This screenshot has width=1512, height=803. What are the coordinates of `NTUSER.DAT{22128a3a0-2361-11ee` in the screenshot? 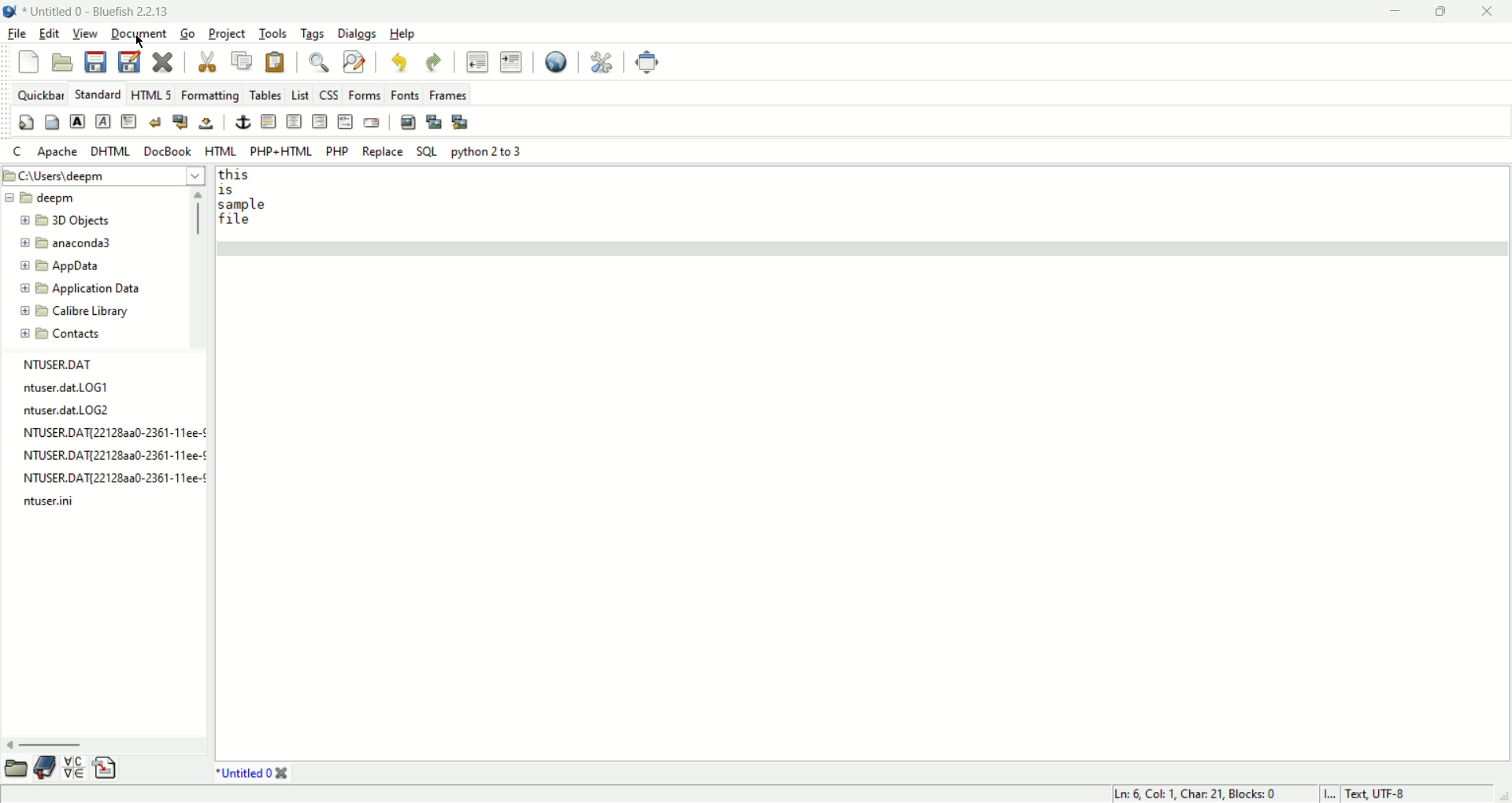 It's located at (114, 453).